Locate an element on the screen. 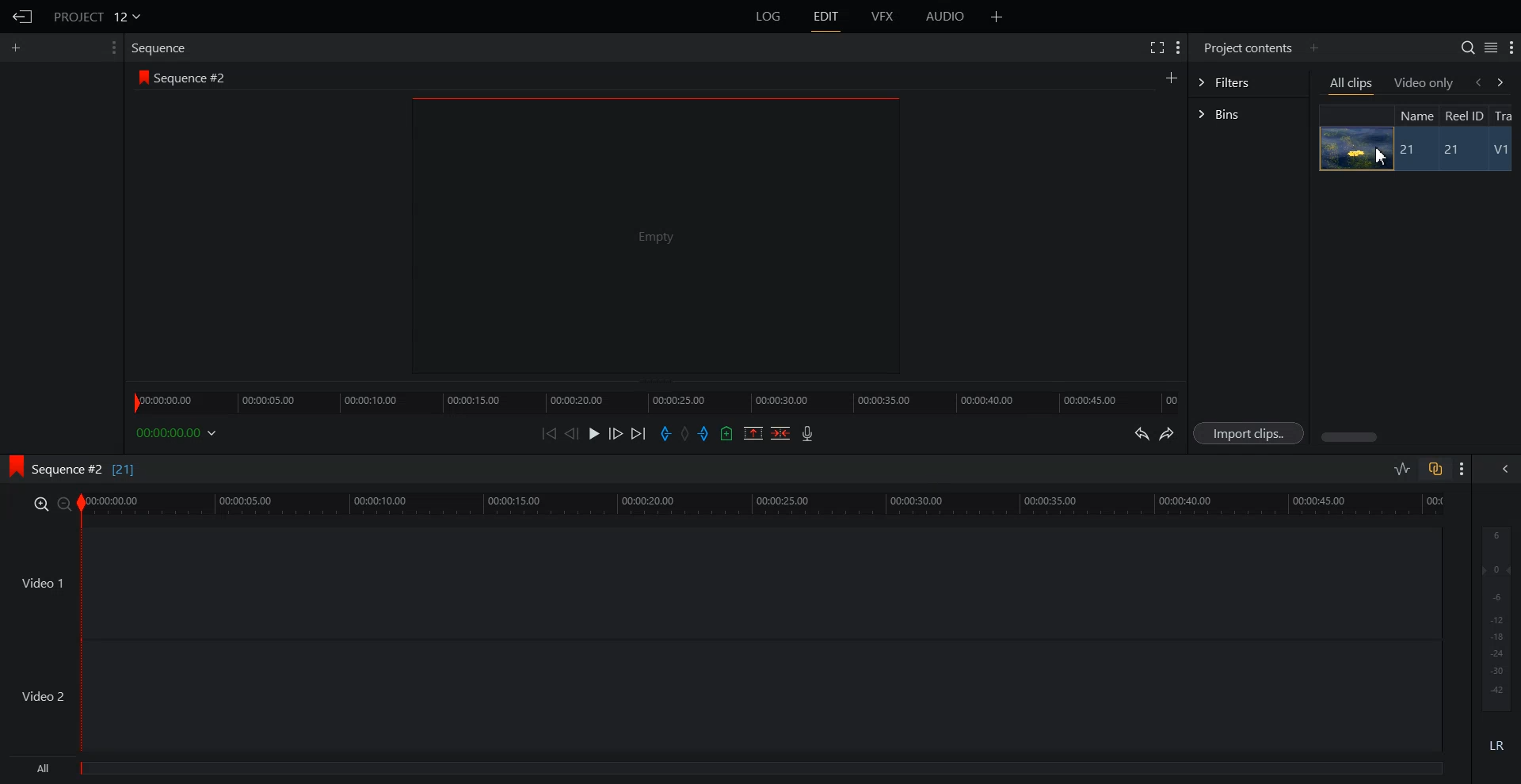  Horizontal scroll bar is located at coordinates (1351, 437).